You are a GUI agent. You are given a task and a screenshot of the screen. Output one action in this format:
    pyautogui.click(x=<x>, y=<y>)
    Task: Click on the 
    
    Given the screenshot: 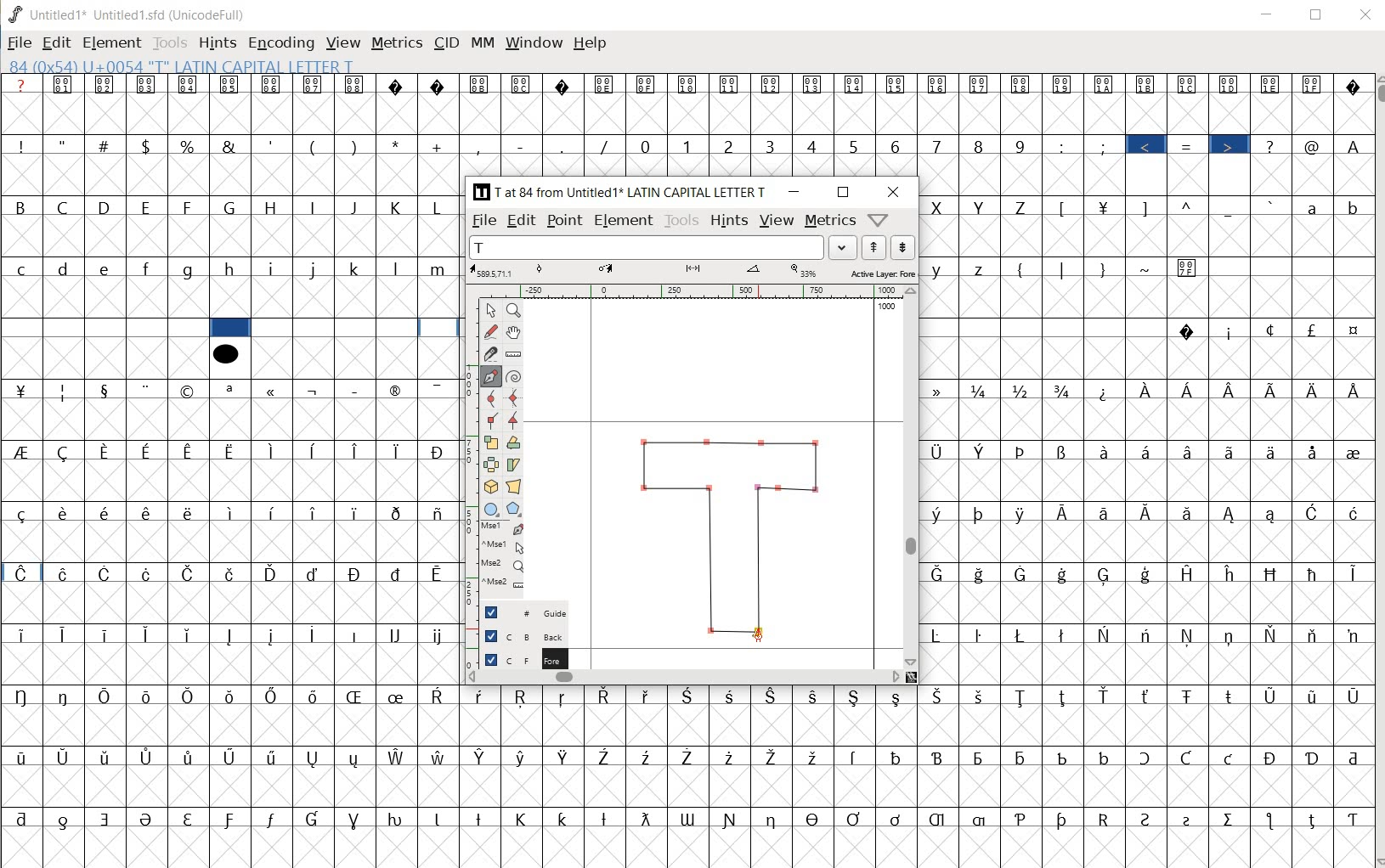 What is the action you would take?
    pyautogui.click(x=356, y=757)
    